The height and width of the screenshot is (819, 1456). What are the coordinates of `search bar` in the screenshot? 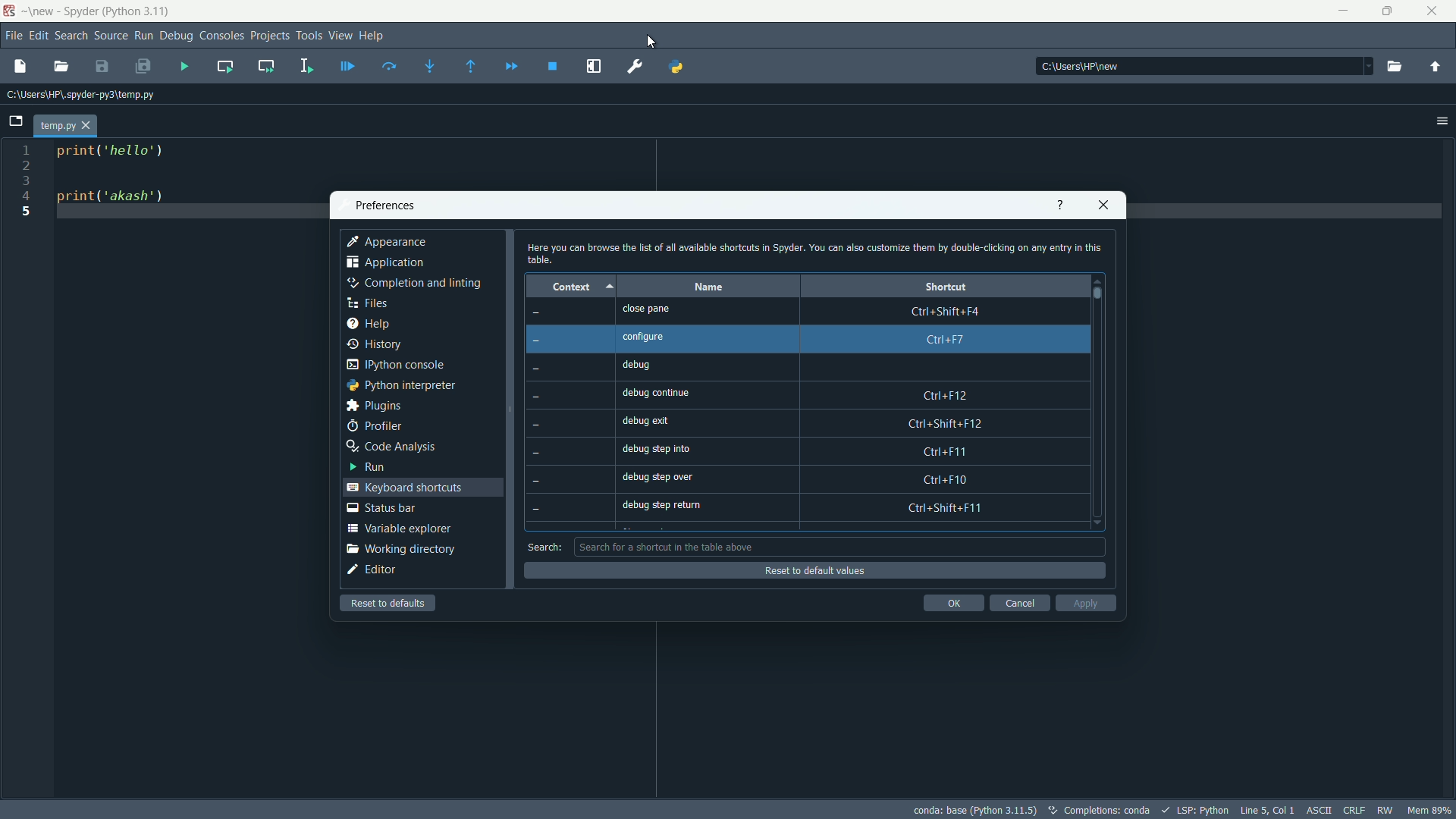 It's located at (840, 546).